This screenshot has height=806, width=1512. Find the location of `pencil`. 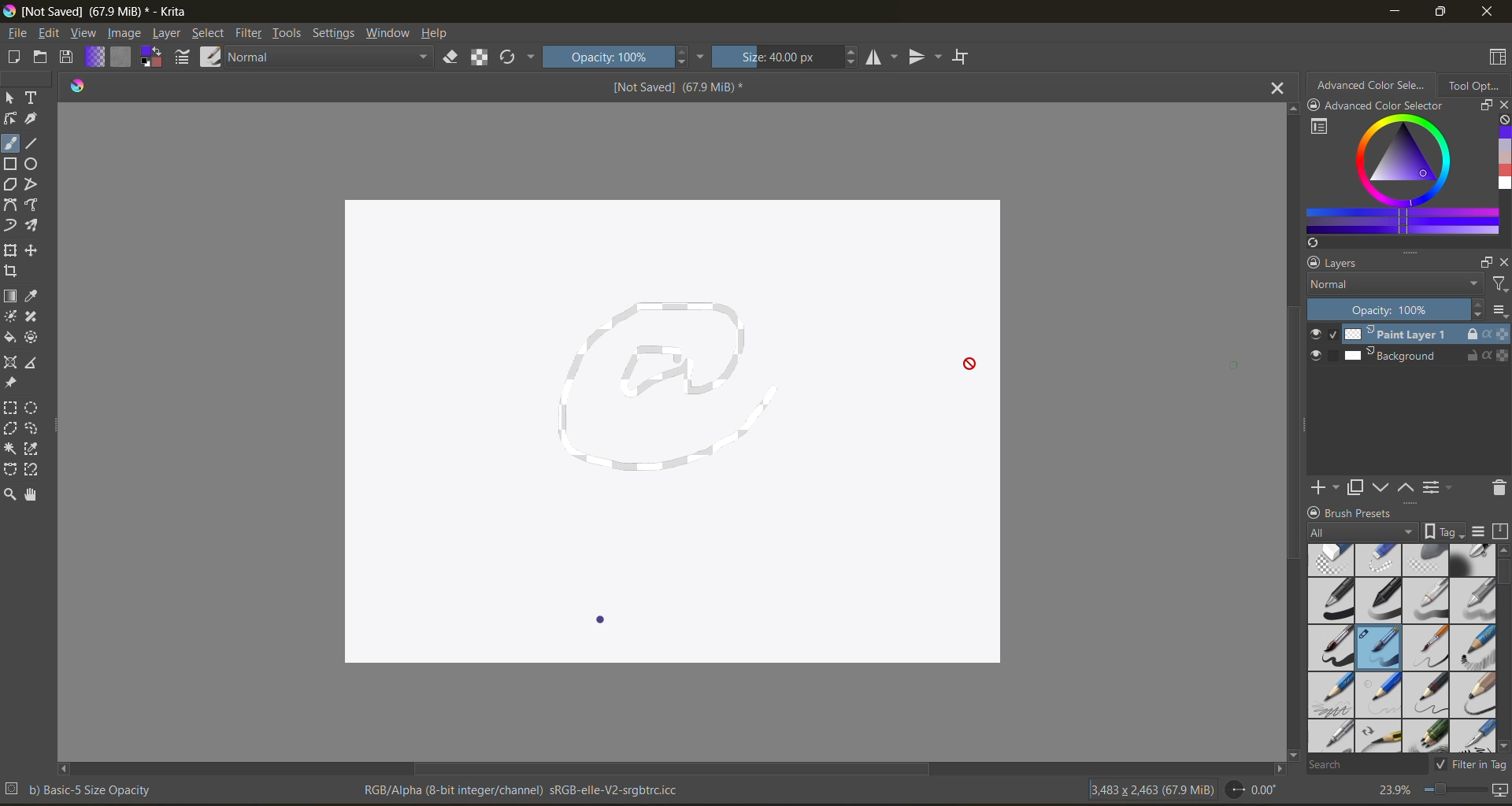

pencil is located at coordinates (1476, 694).